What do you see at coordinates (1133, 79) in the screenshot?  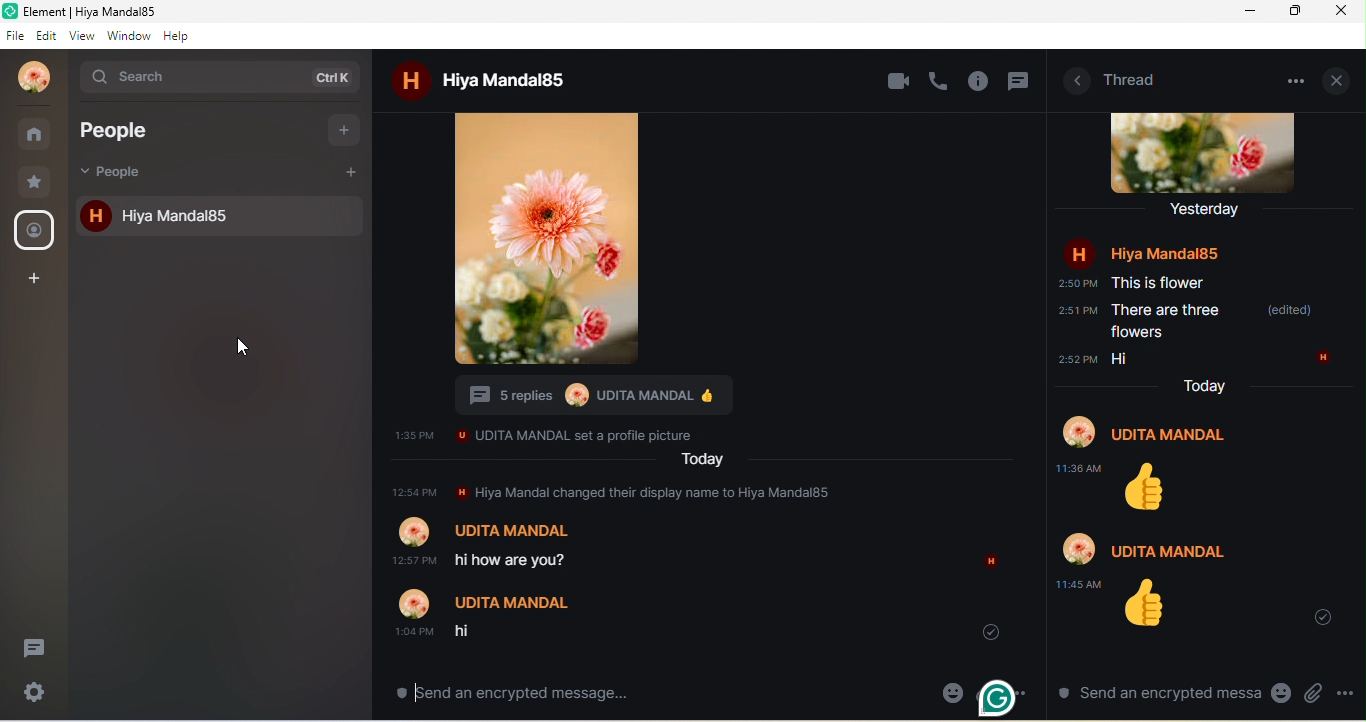 I see `thread` at bounding box center [1133, 79].